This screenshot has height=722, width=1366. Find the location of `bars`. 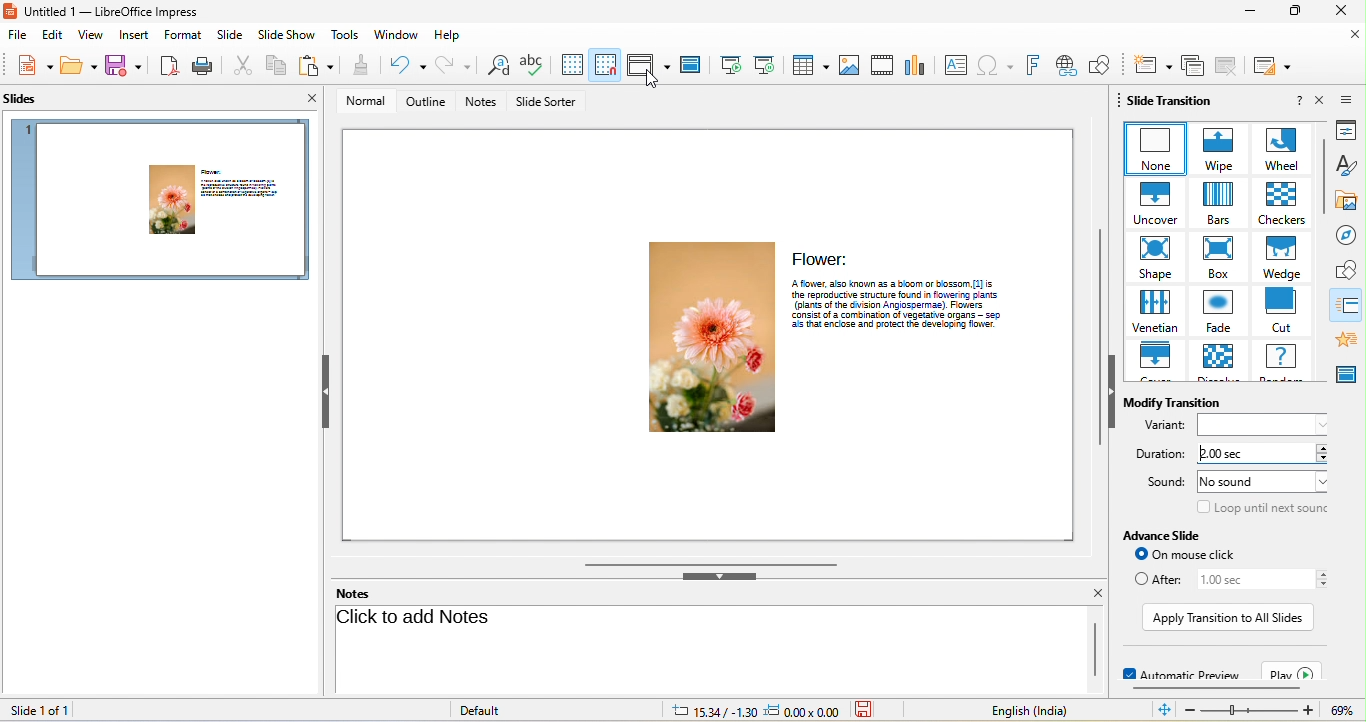

bars is located at coordinates (1215, 203).